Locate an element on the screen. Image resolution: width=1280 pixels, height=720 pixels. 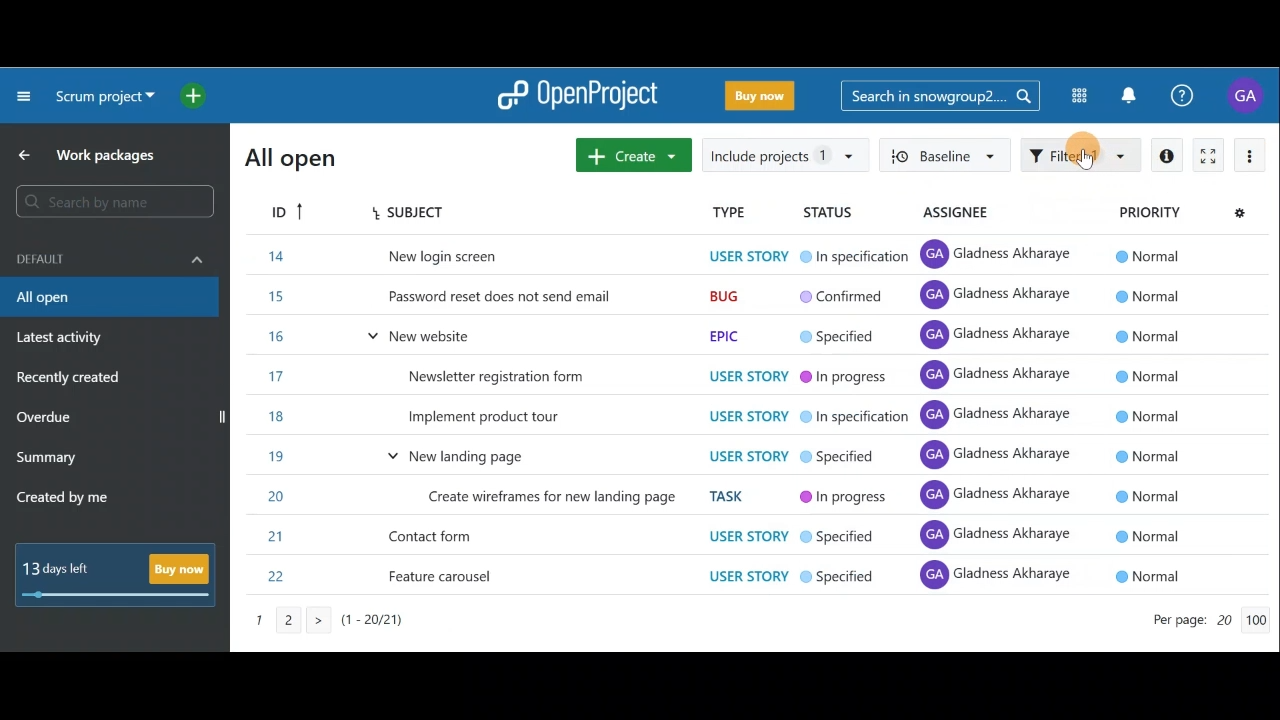
More actions is located at coordinates (1250, 159).